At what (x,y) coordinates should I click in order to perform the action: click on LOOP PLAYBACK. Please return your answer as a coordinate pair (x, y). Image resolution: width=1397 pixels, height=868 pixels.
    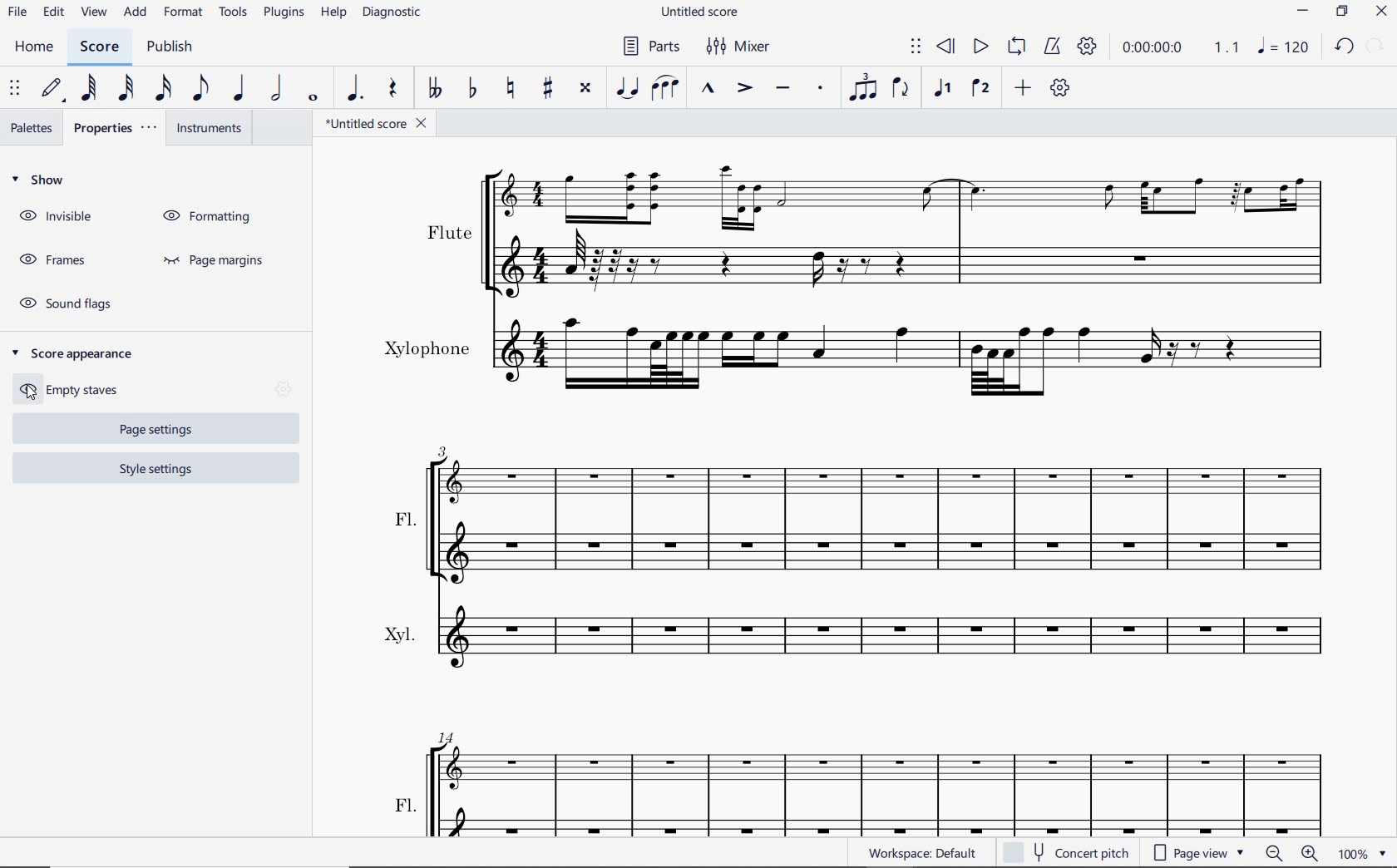
    Looking at the image, I should click on (1017, 47).